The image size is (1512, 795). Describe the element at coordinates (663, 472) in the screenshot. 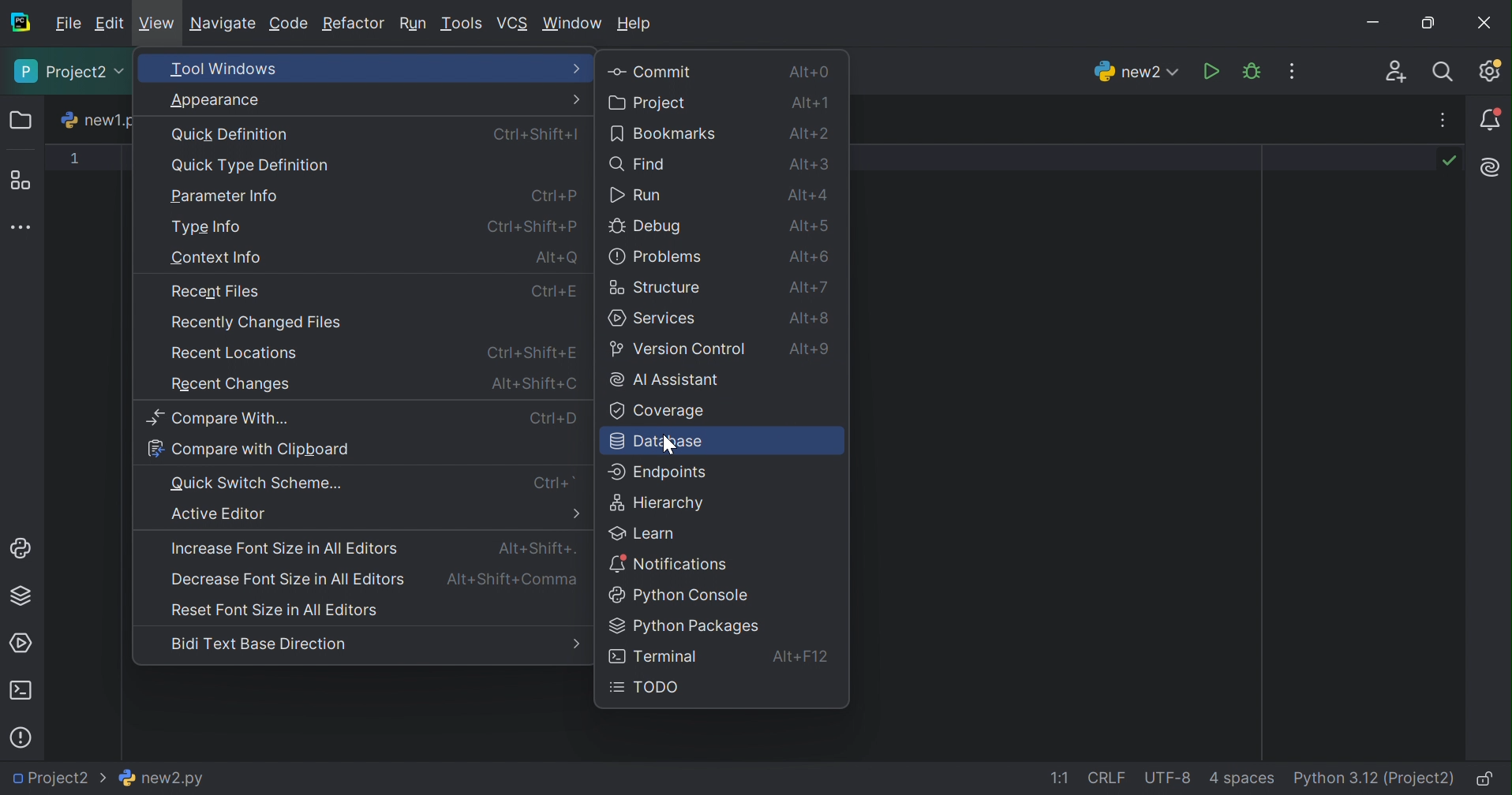

I see `Endpoints` at that location.